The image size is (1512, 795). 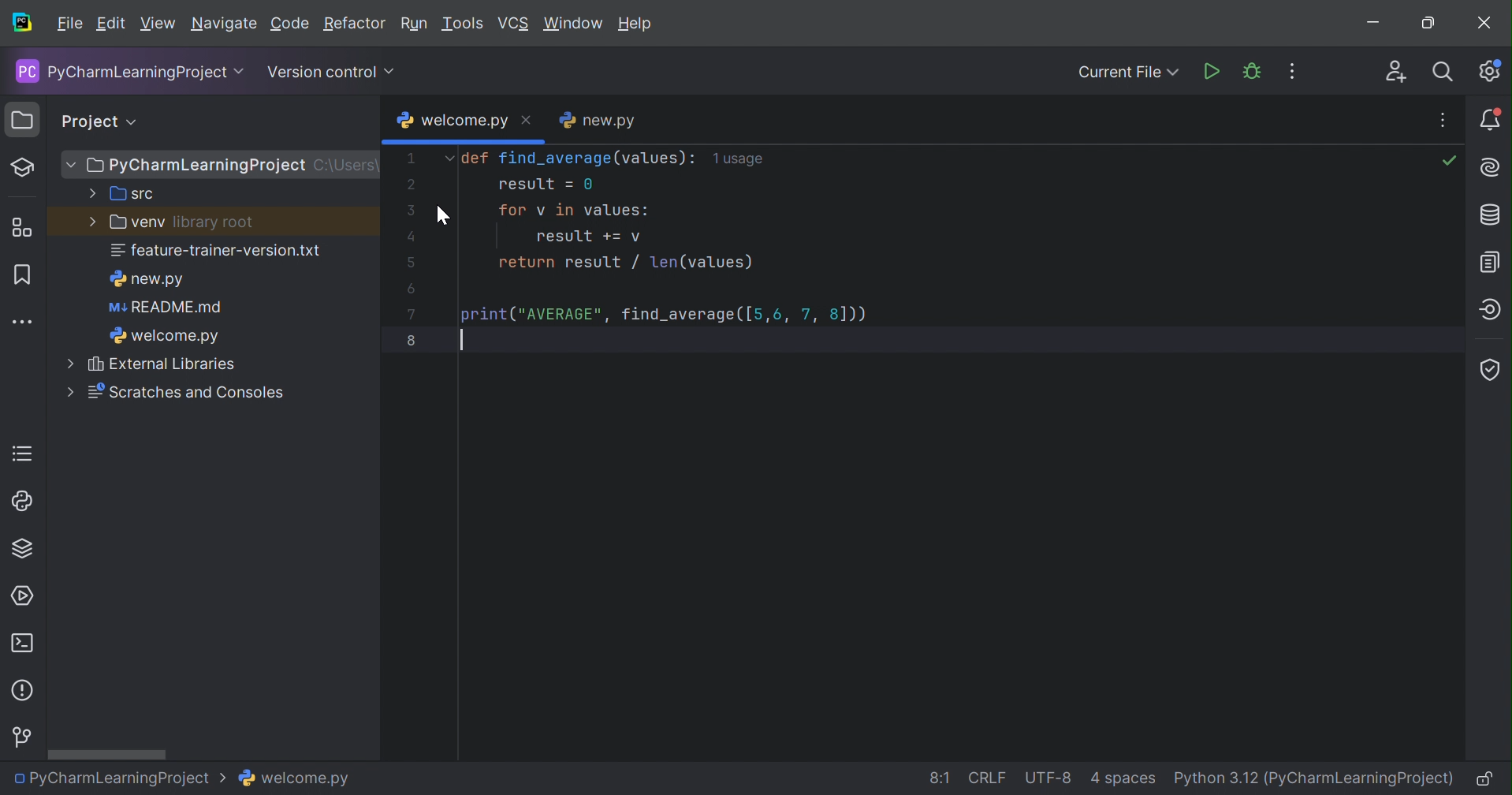 I want to click on Current Fil, so click(x=1128, y=74).